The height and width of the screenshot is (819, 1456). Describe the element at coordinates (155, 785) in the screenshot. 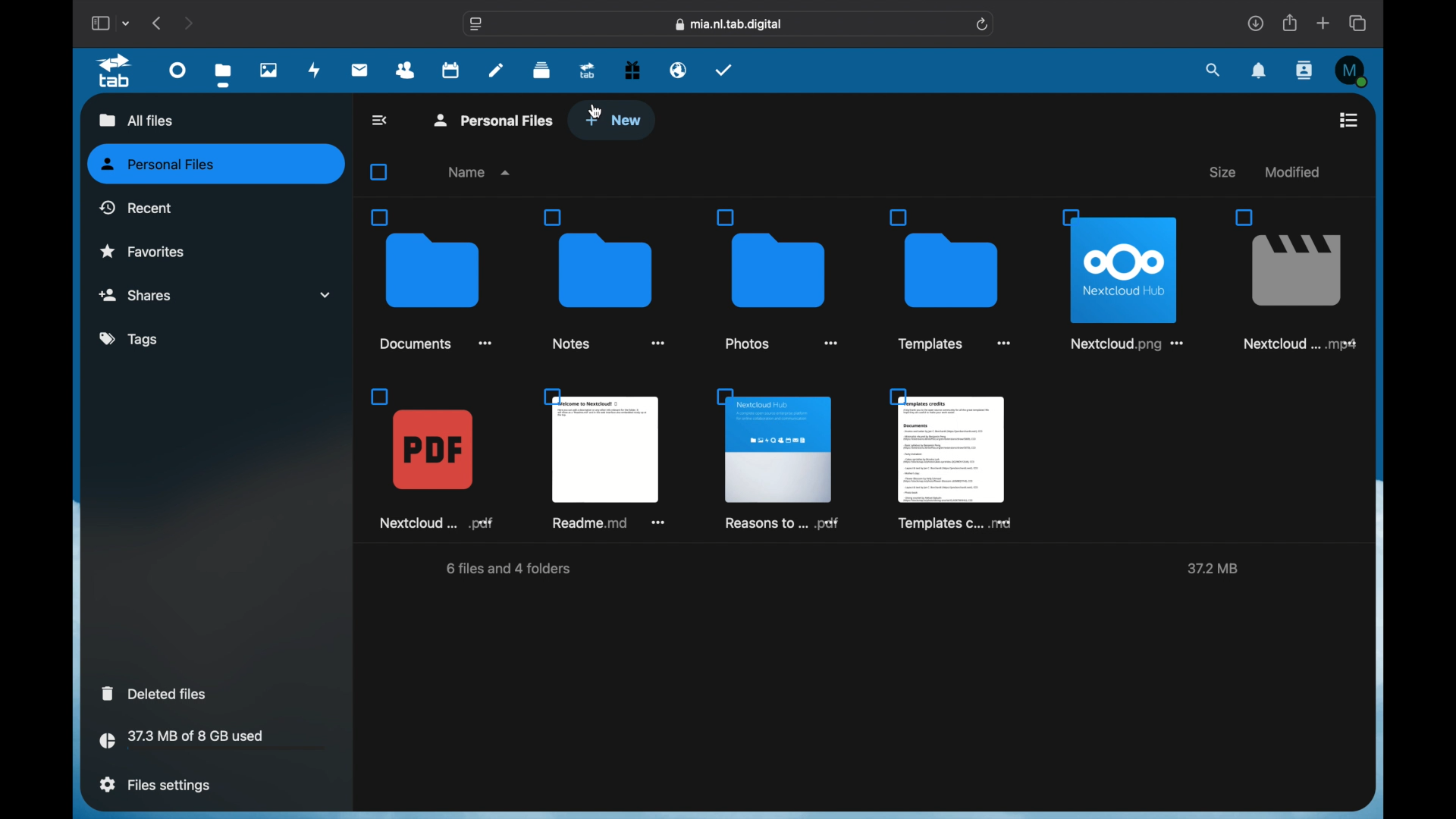

I see `files settings` at that location.